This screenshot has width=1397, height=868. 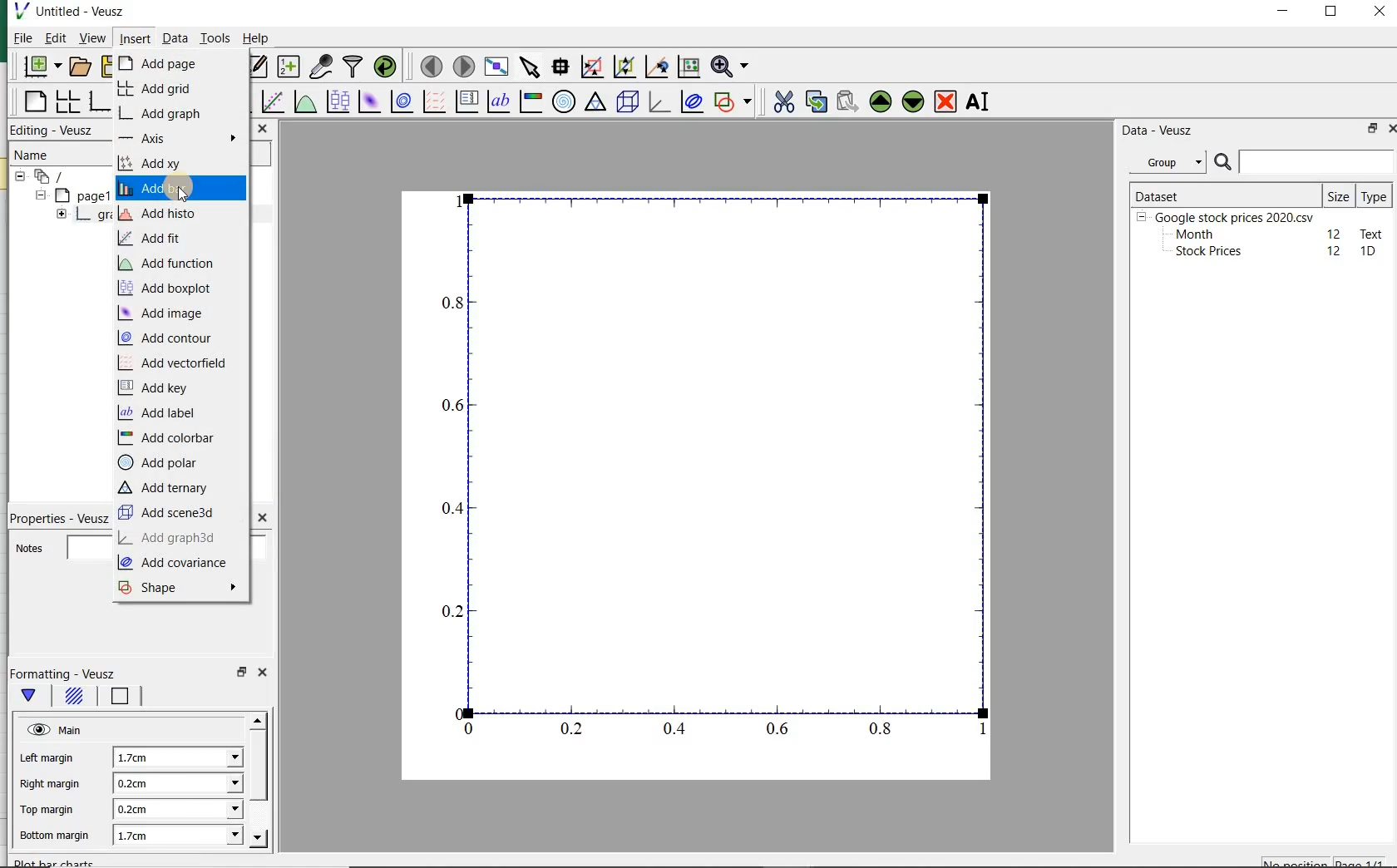 I want to click on new document, so click(x=42, y=67).